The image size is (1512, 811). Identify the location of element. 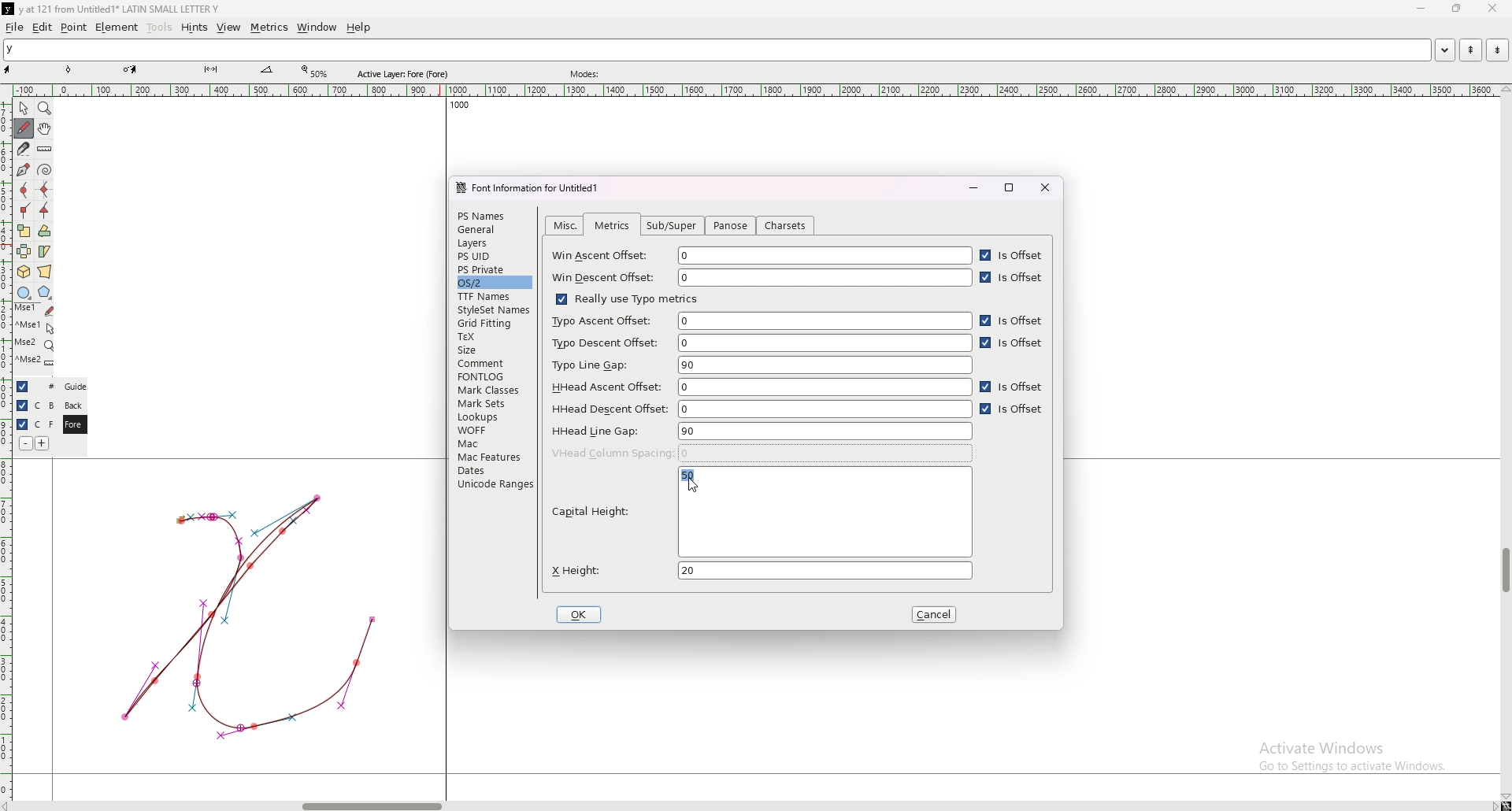
(117, 27).